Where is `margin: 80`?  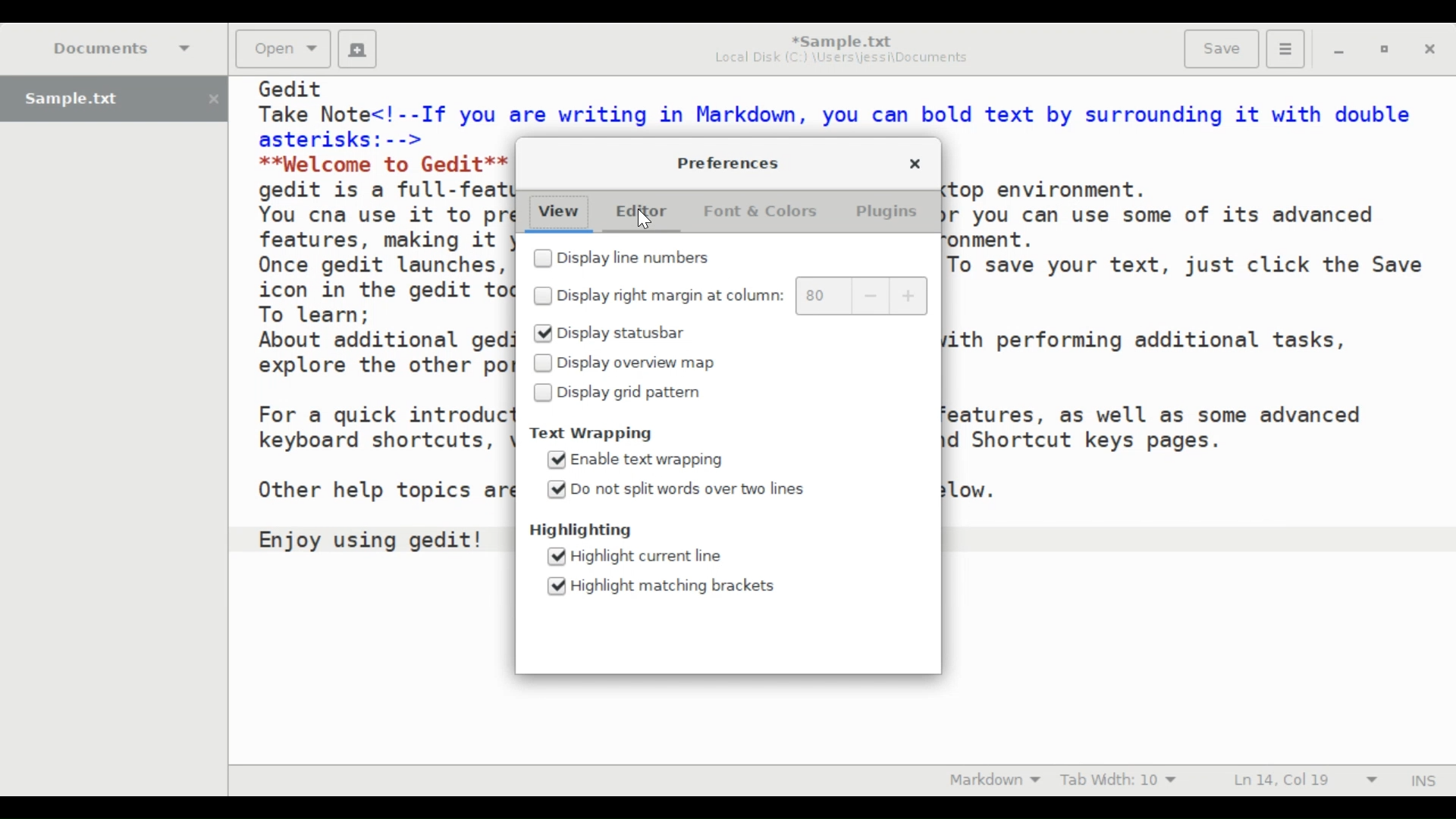 margin: 80 is located at coordinates (821, 297).